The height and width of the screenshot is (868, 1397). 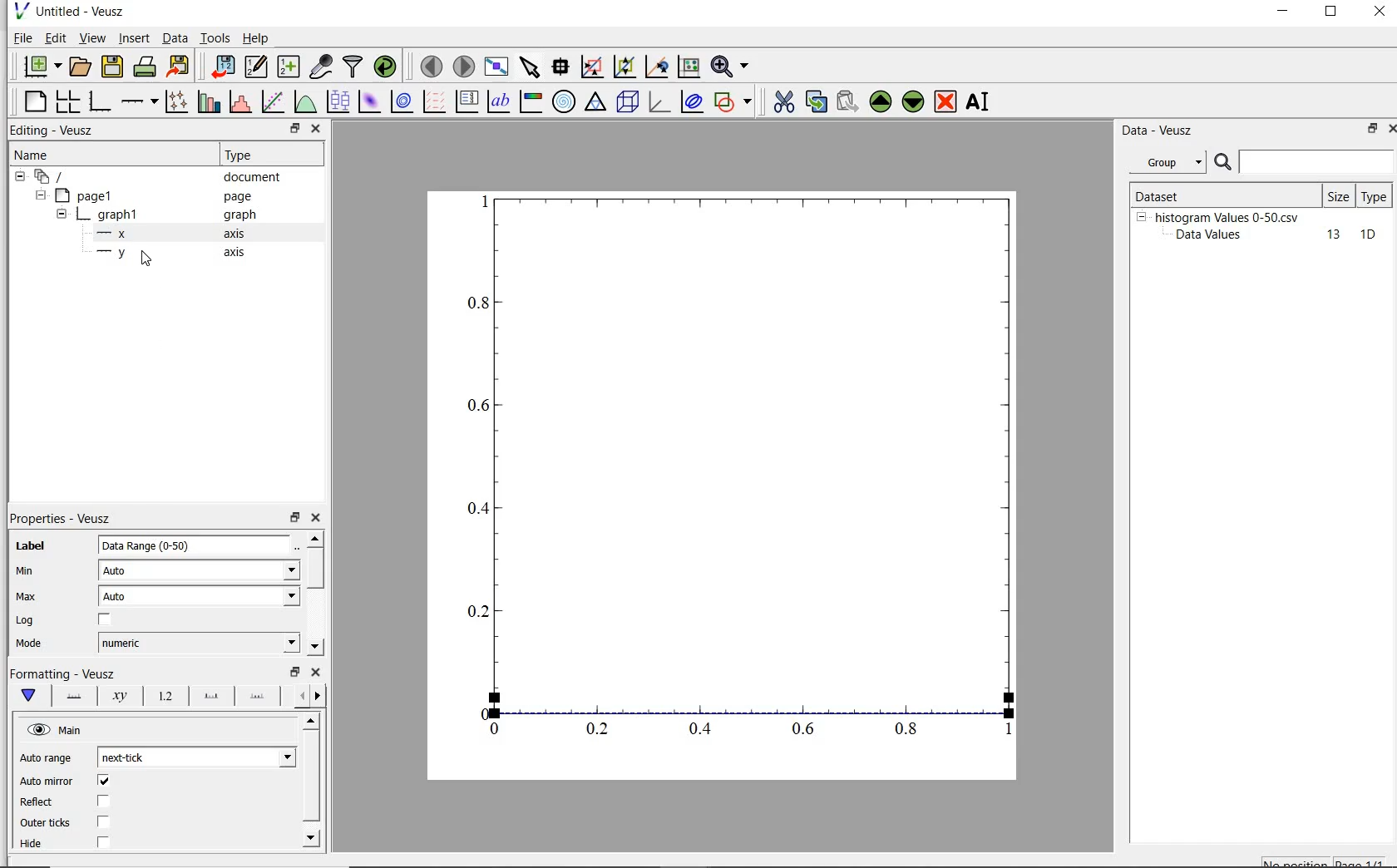 I want to click on edit and create new datasets, so click(x=256, y=66).